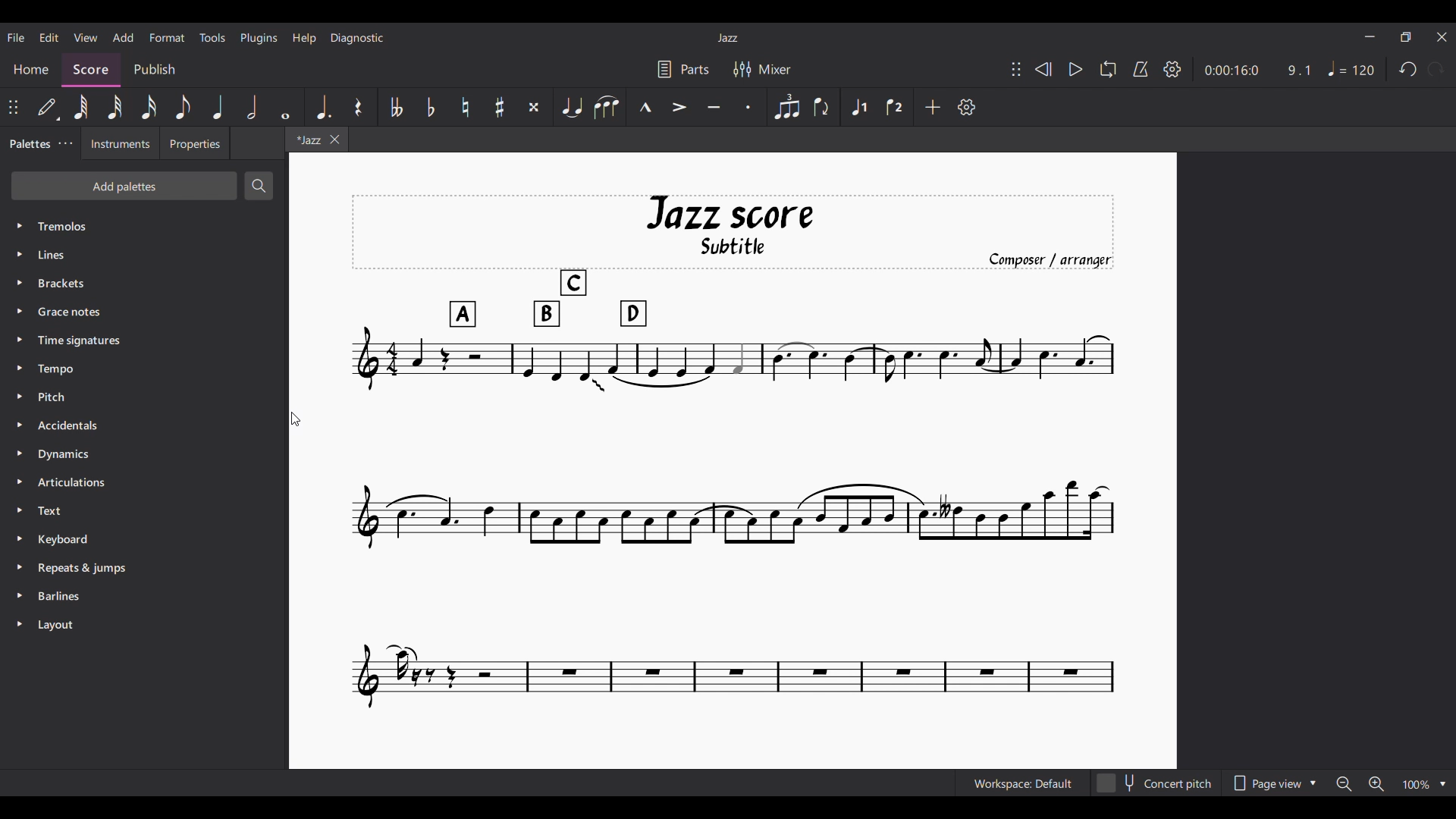 Image resolution: width=1456 pixels, height=819 pixels. What do you see at coordinates (1232, 71) in the screenshot?
I see `0:00:16:0` at bounding box center [1232, 71].